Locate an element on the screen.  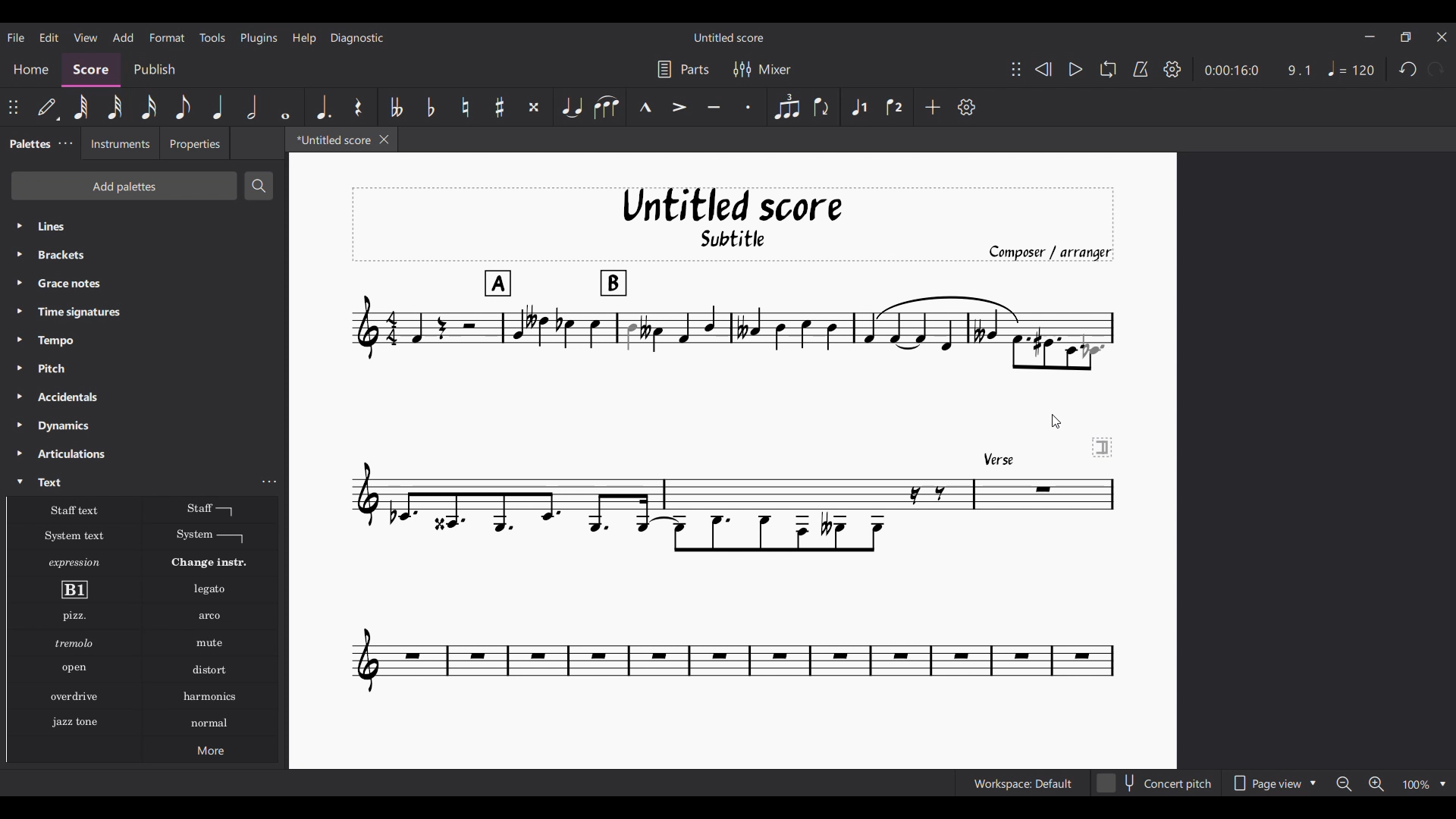
Toggle natural is located at coordinates (466, 107).